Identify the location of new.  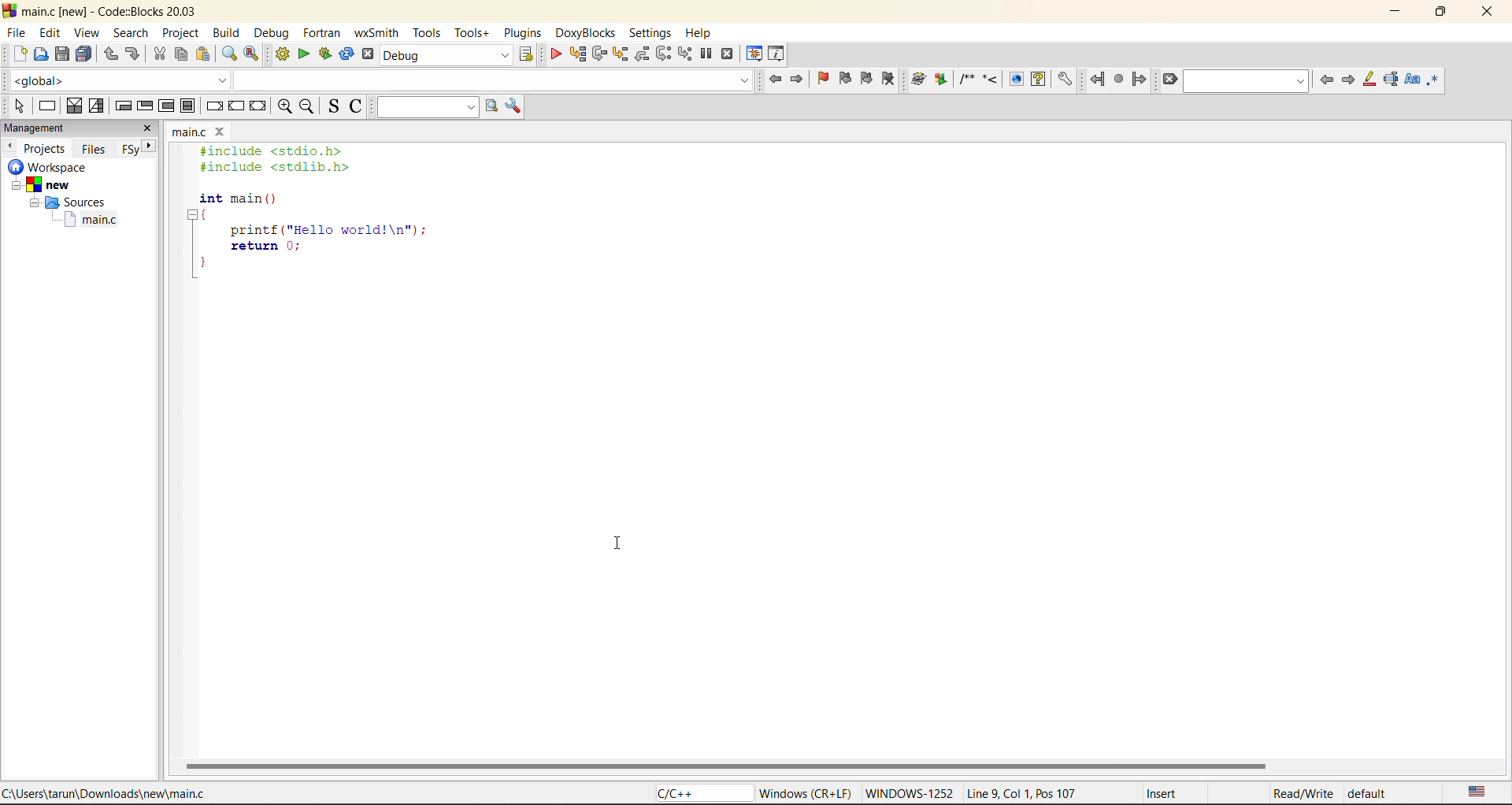
(19, 54).